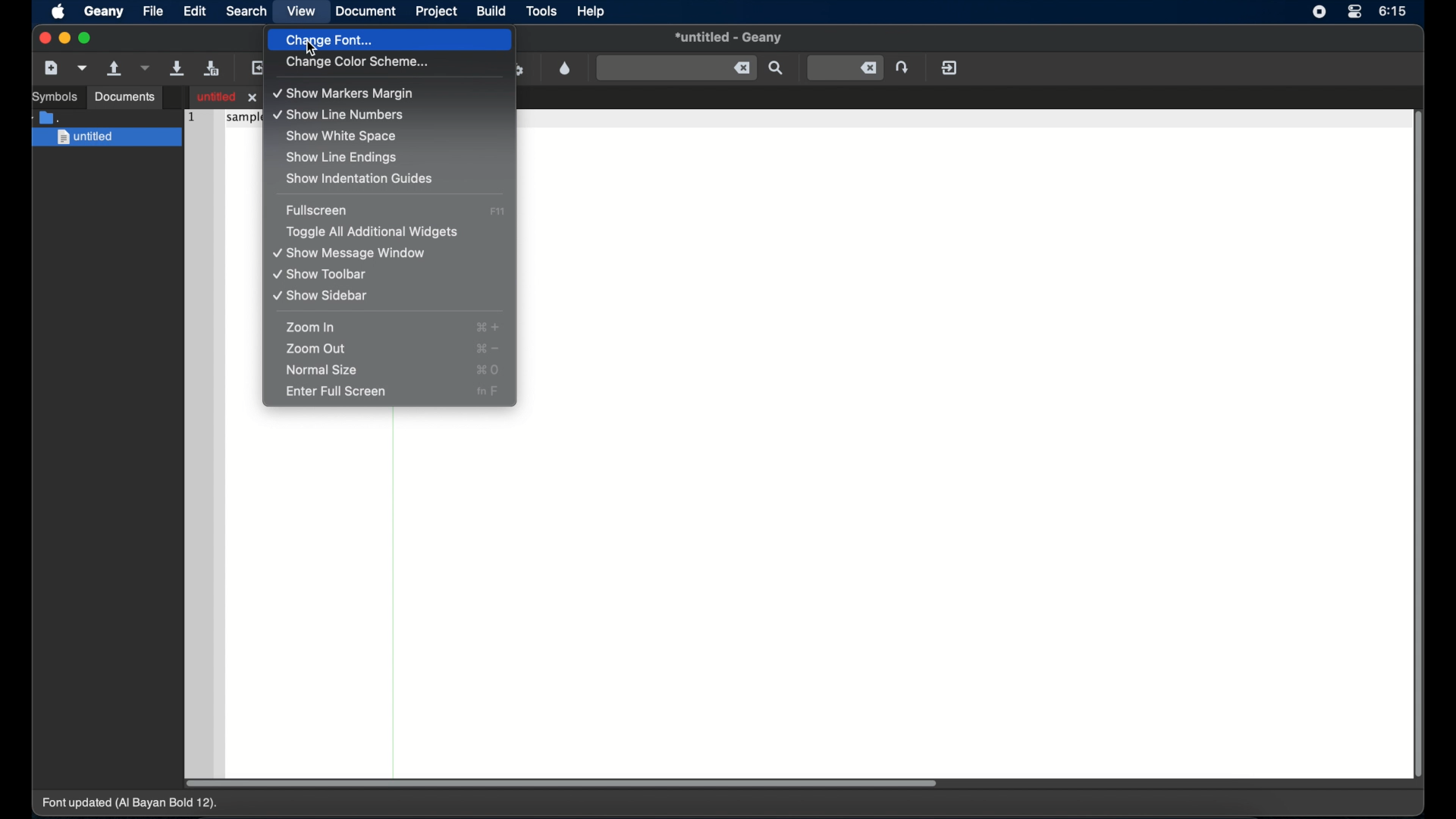  What do you see at coordinates (196, 11) in the screenshot?
I see `edit` at bounding box center [196, 11].